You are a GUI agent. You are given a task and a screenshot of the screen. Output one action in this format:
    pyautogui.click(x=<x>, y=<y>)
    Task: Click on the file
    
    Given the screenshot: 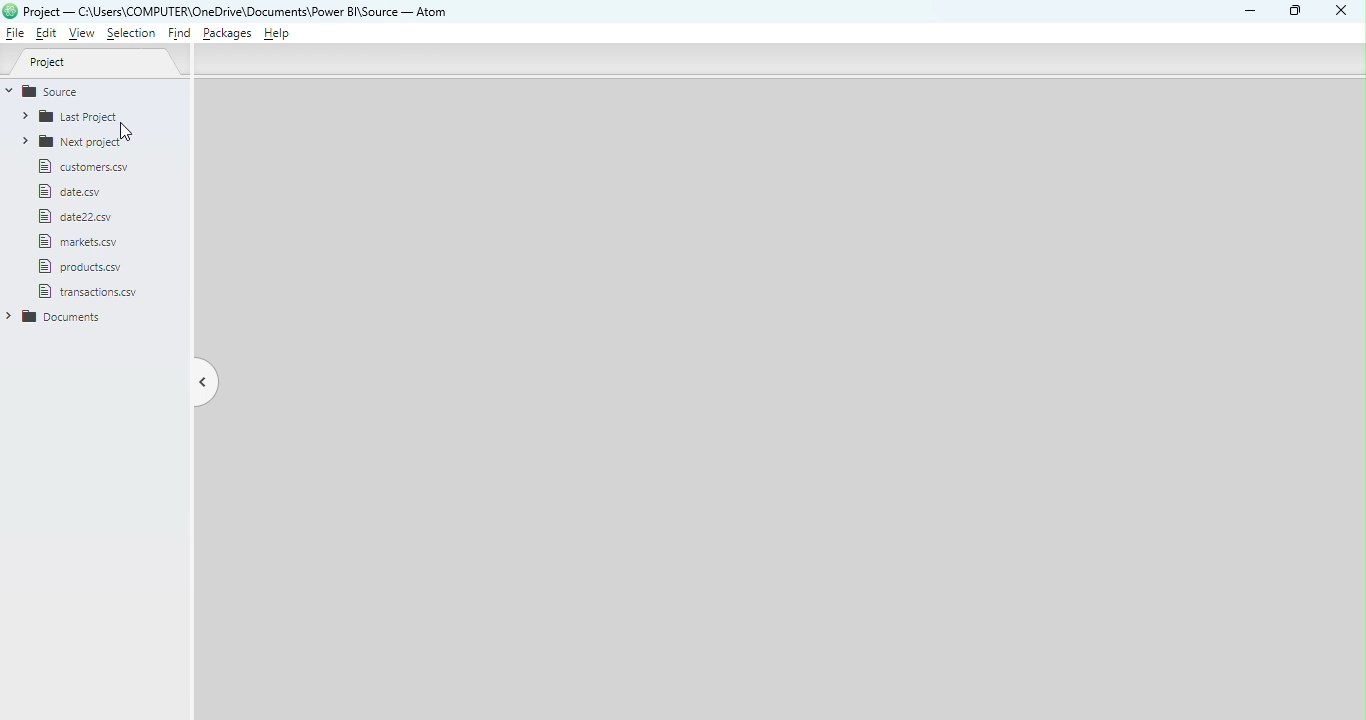 What is the action you would take?
    pyautogui.click(x=87, y=266)
    